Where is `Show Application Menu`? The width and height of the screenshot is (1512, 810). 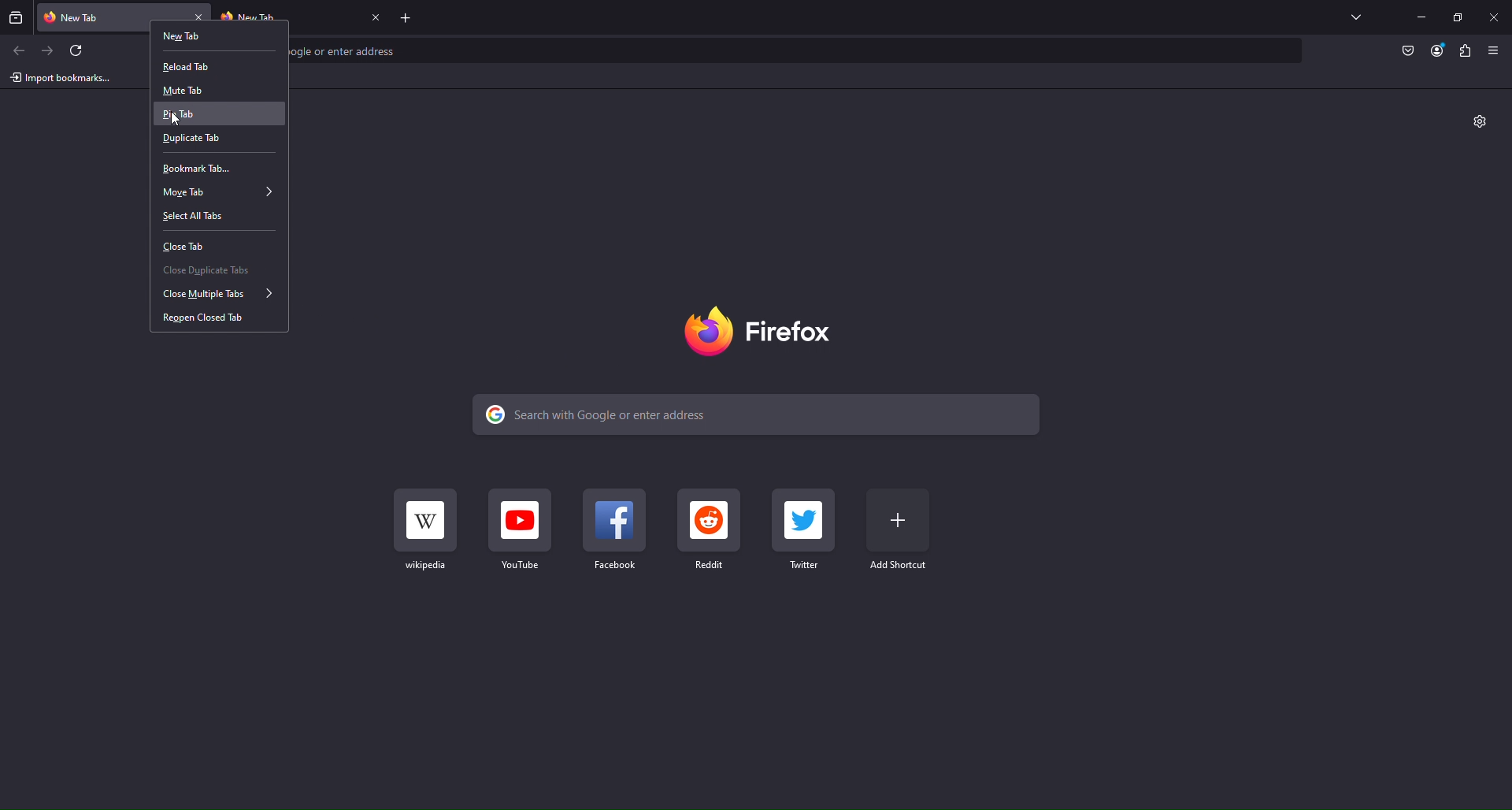 Show Application Menu is located at coordinates (1495, 50).